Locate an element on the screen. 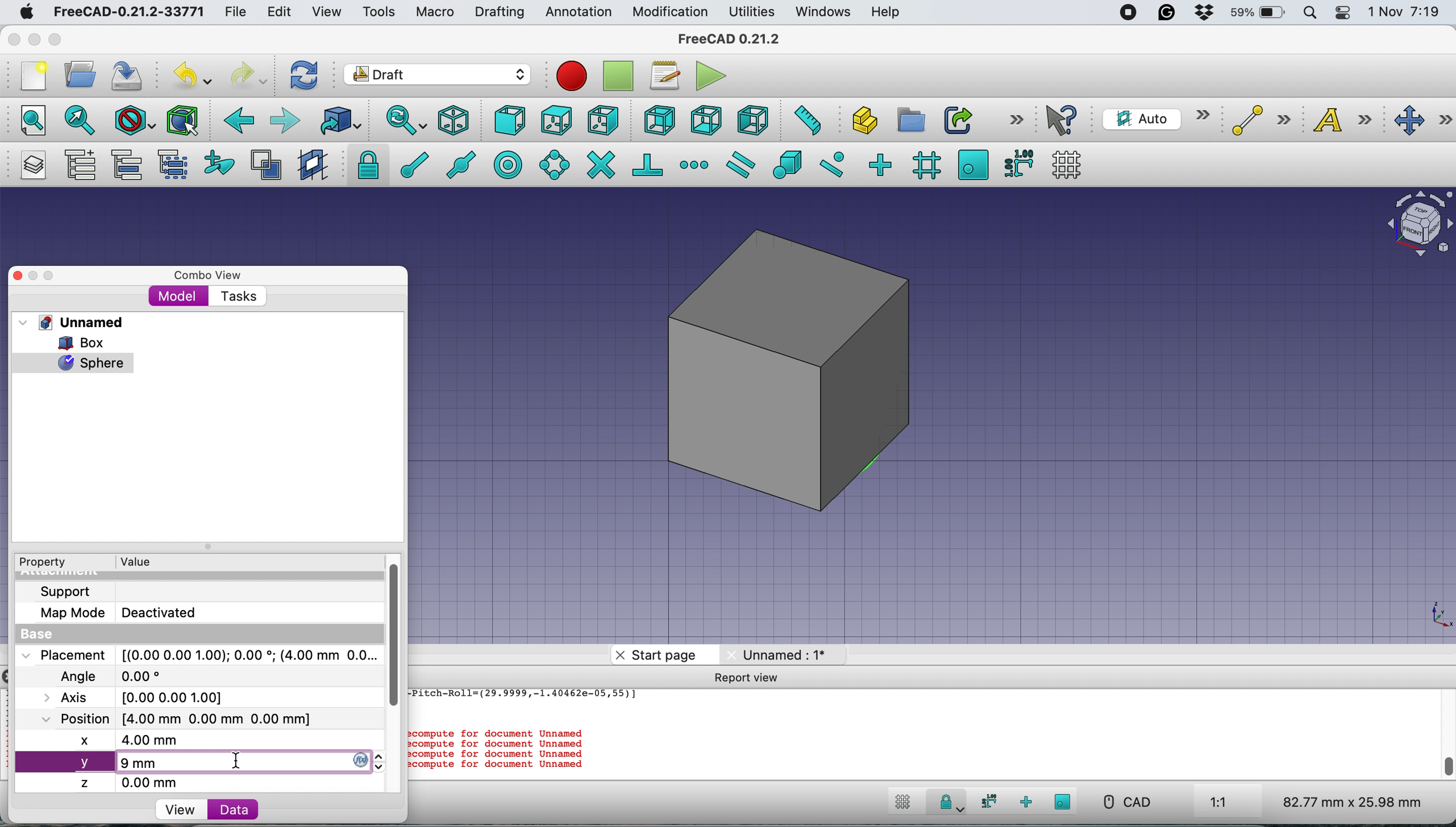 This screenshot has height=827, width=1456. close tab is located at coordinates (730, 653).